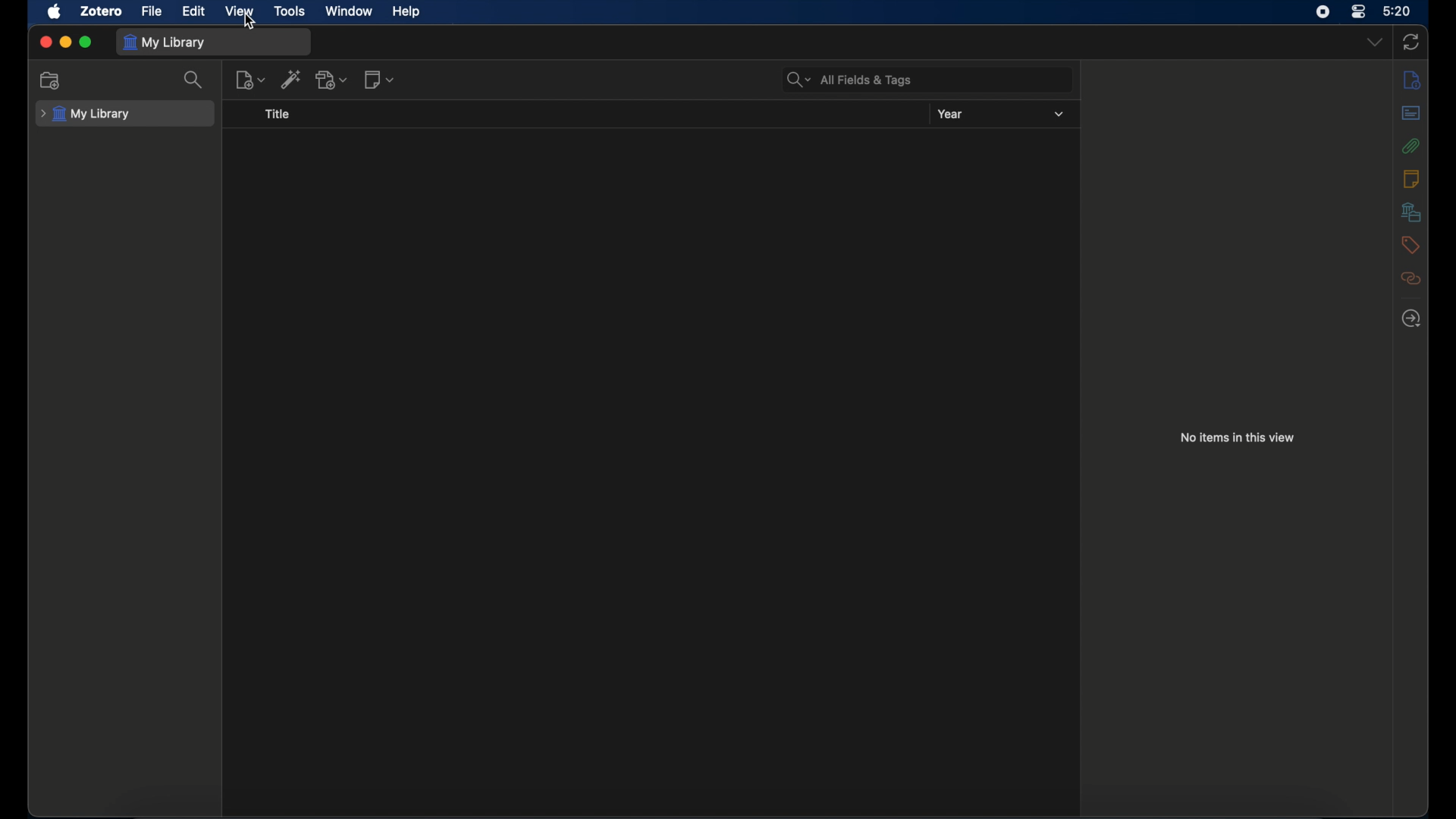 This screenshot has height=819, width=1456. I want to click on search bar, so click(849, 80).